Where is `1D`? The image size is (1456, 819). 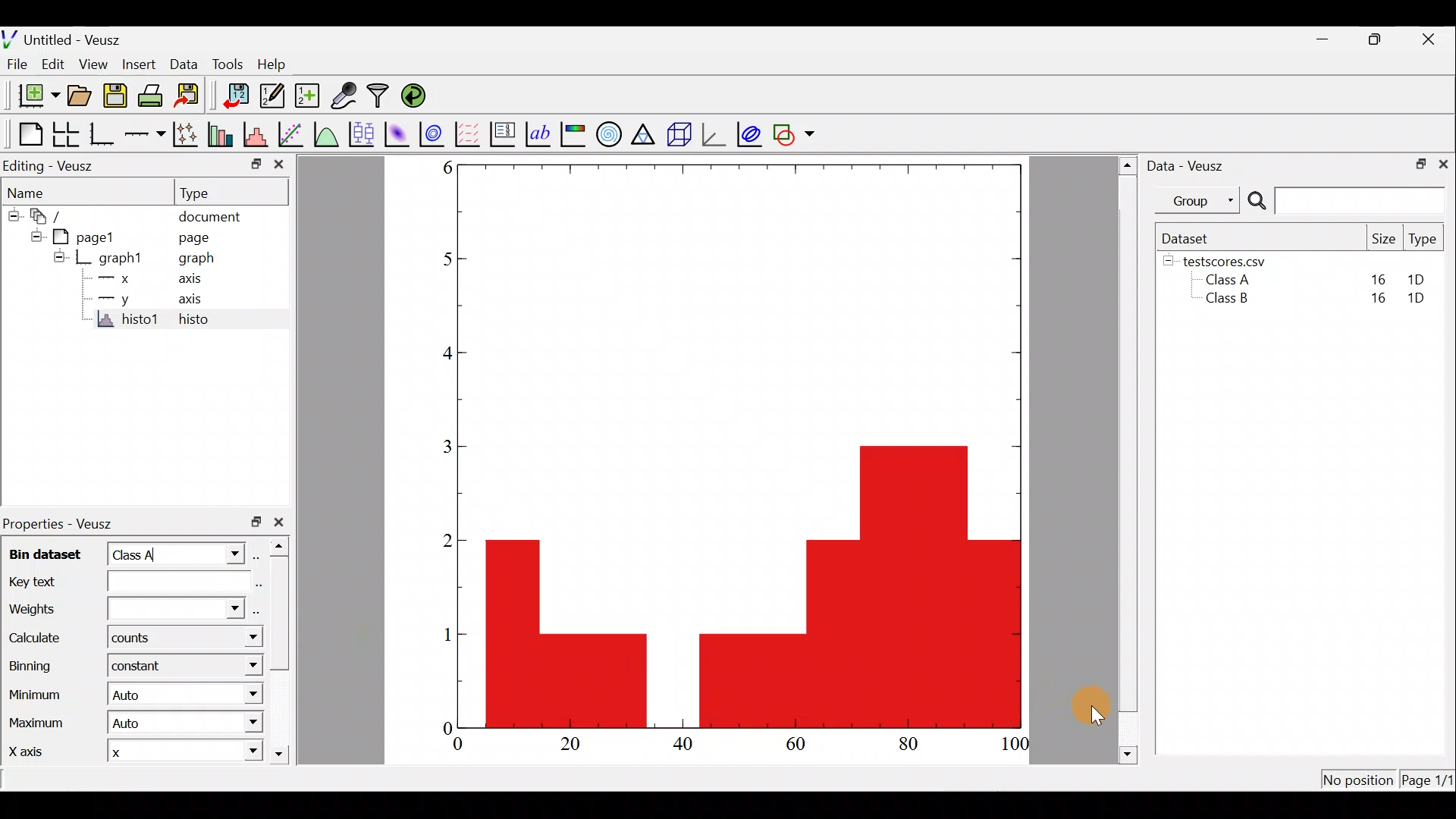 1D is located at coordinates (1418, 279).